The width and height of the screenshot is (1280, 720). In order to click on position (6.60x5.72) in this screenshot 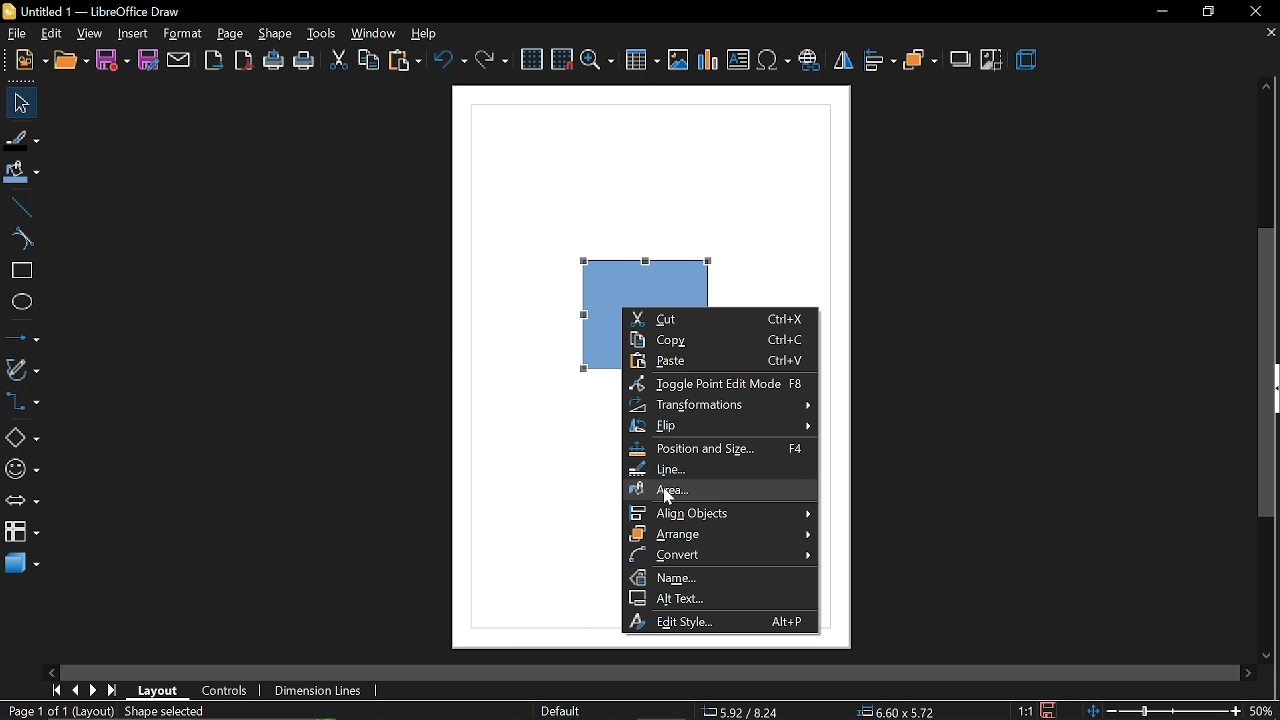, I will do `click(900, 710)`.